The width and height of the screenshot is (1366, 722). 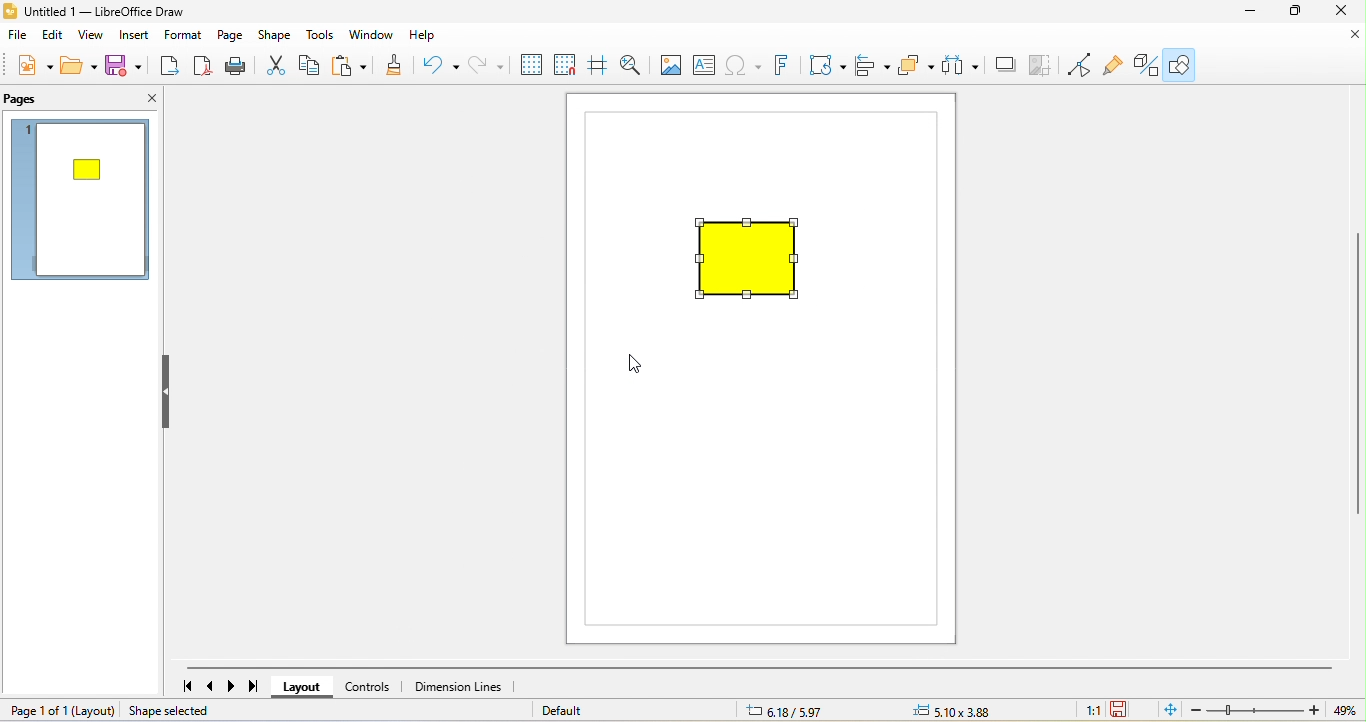 I want to click on fit page to current window, so click(x=1168, y=710).